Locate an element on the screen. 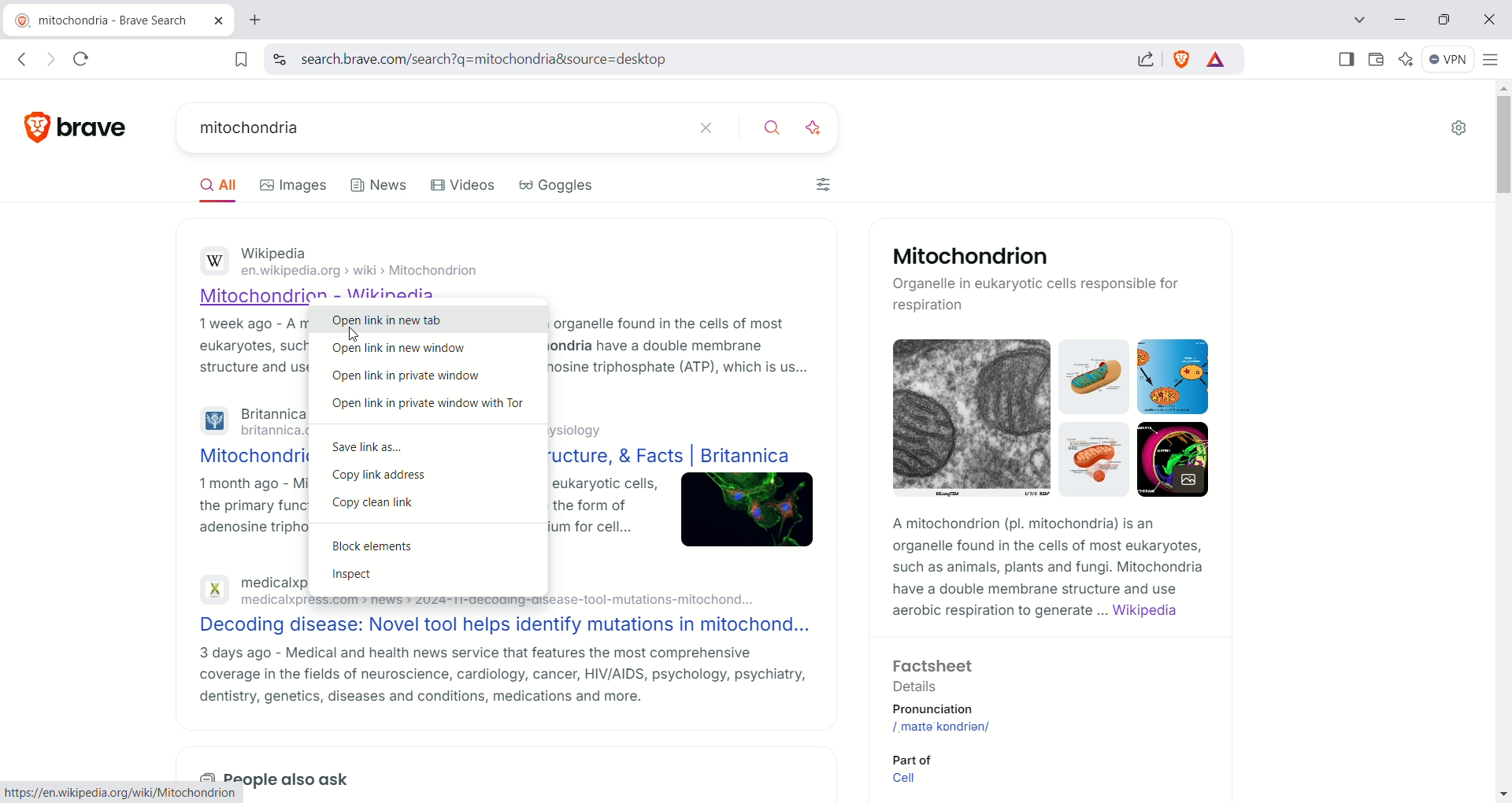 This screenshot has height=803, width=1512. Wikipidea logo is located at coordinates (213, 258).